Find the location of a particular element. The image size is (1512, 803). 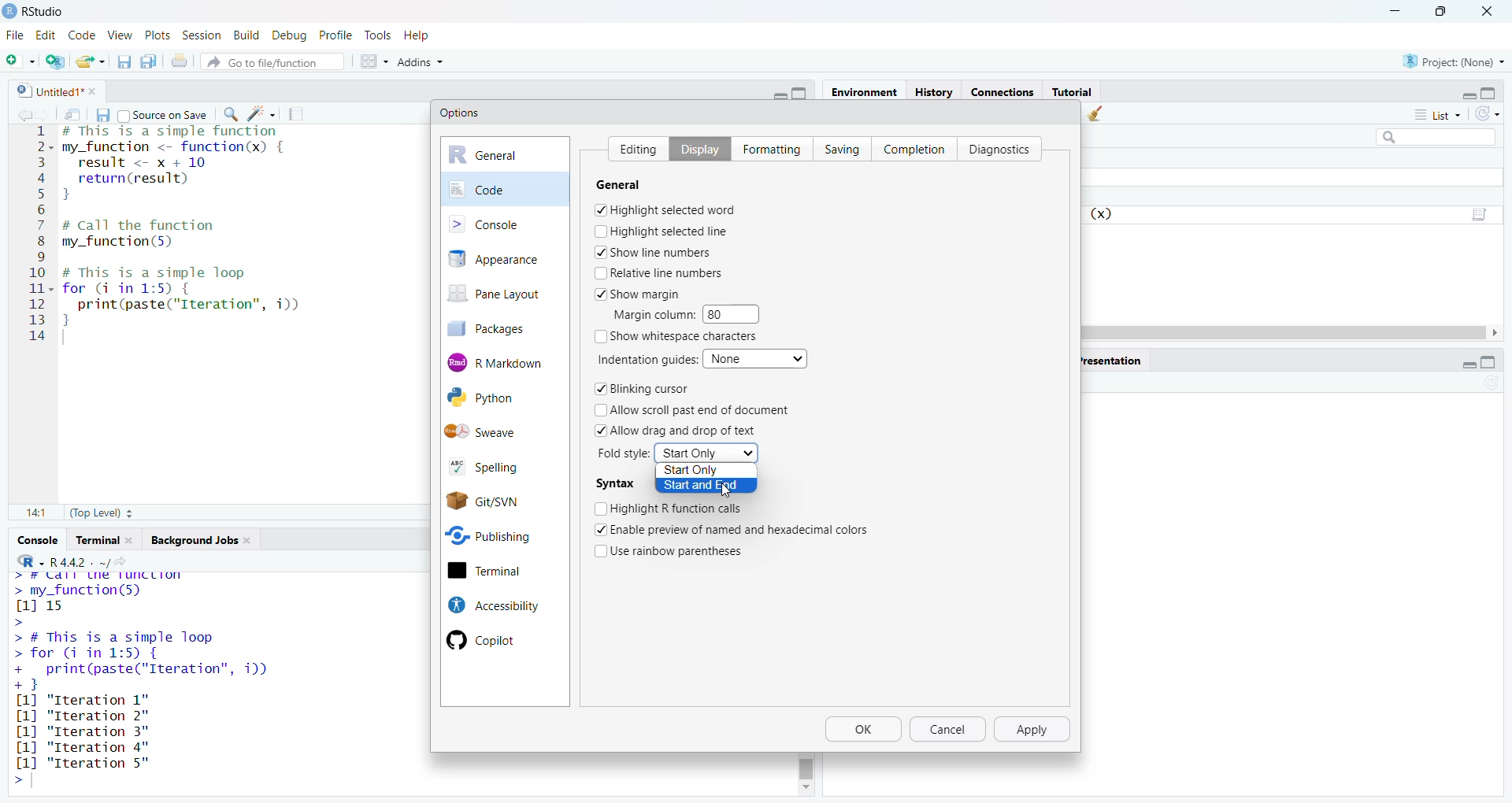

spelling is located at coordinates (498, 464).